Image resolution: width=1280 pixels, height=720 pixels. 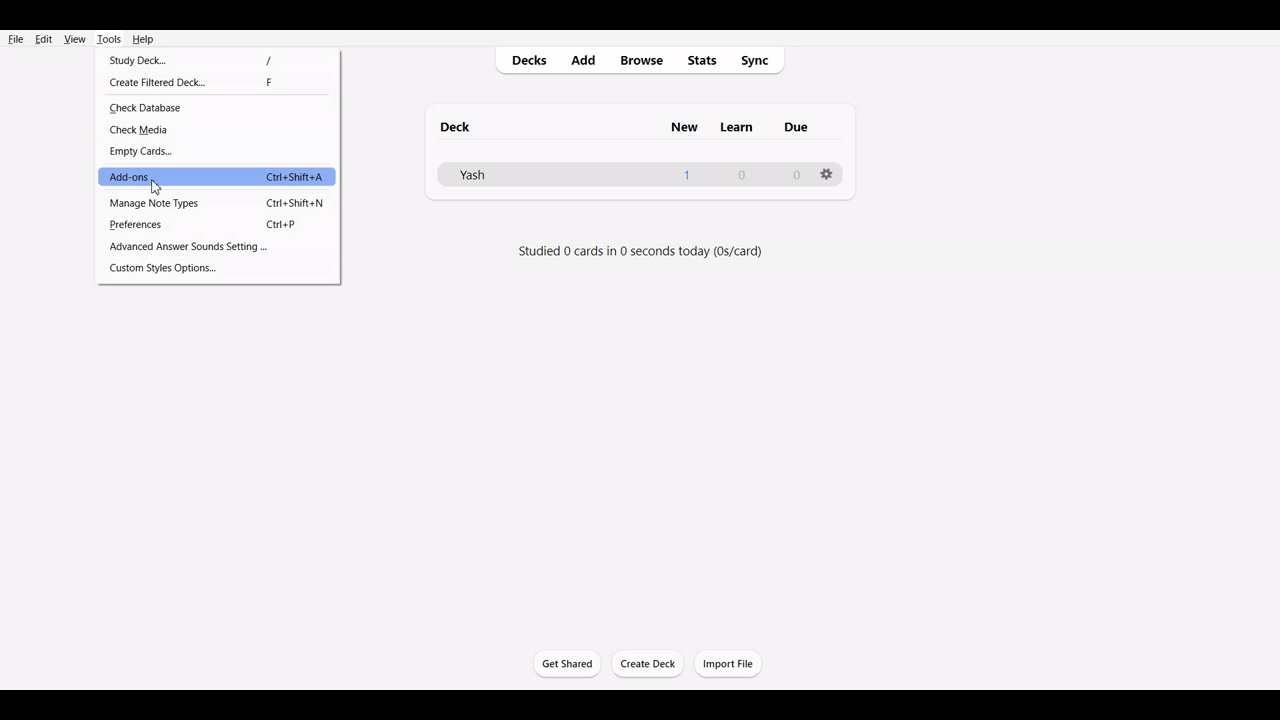 I want to click on Check Database, so click(x=217, y=106).